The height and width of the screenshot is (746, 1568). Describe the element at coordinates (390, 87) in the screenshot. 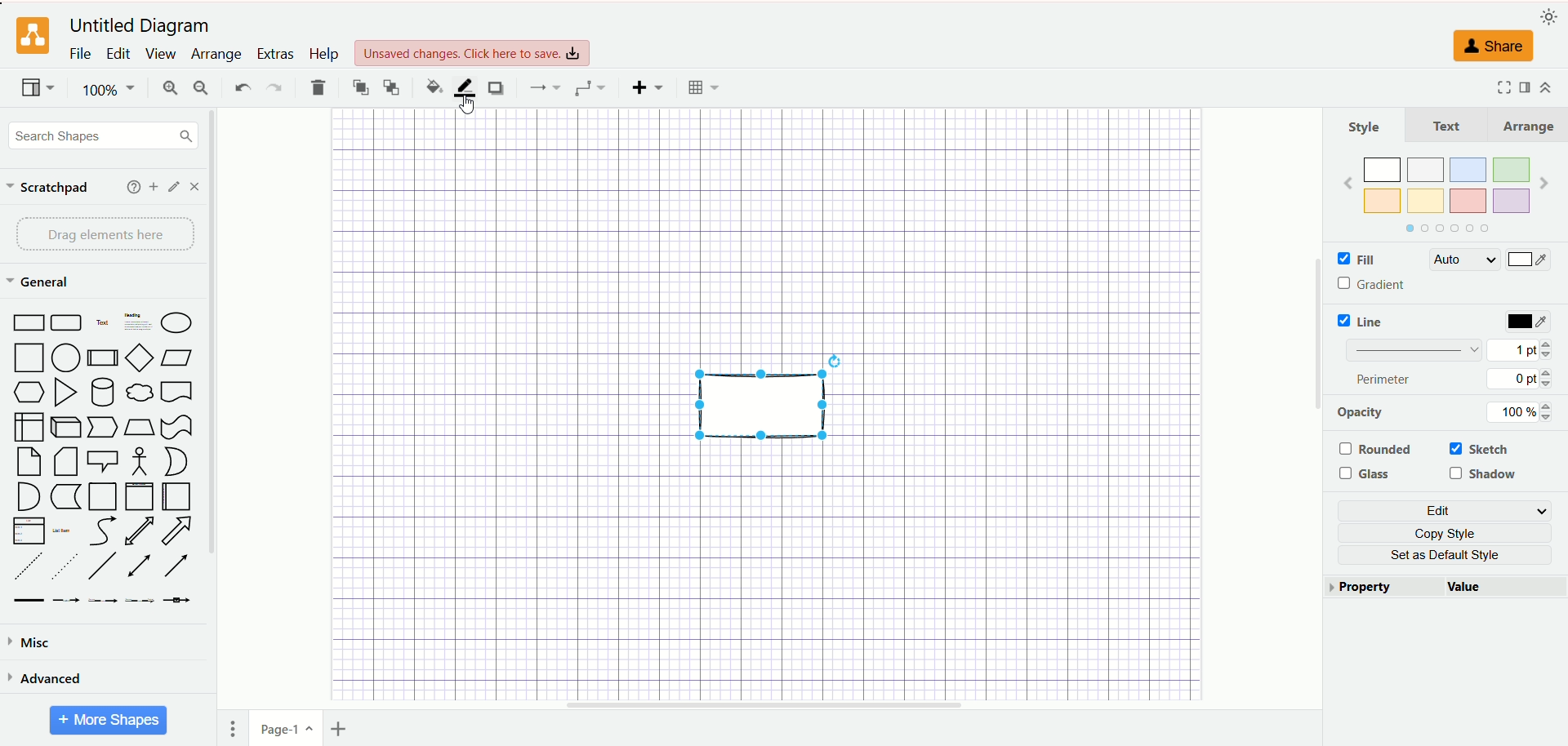

I see `to back` at that location.